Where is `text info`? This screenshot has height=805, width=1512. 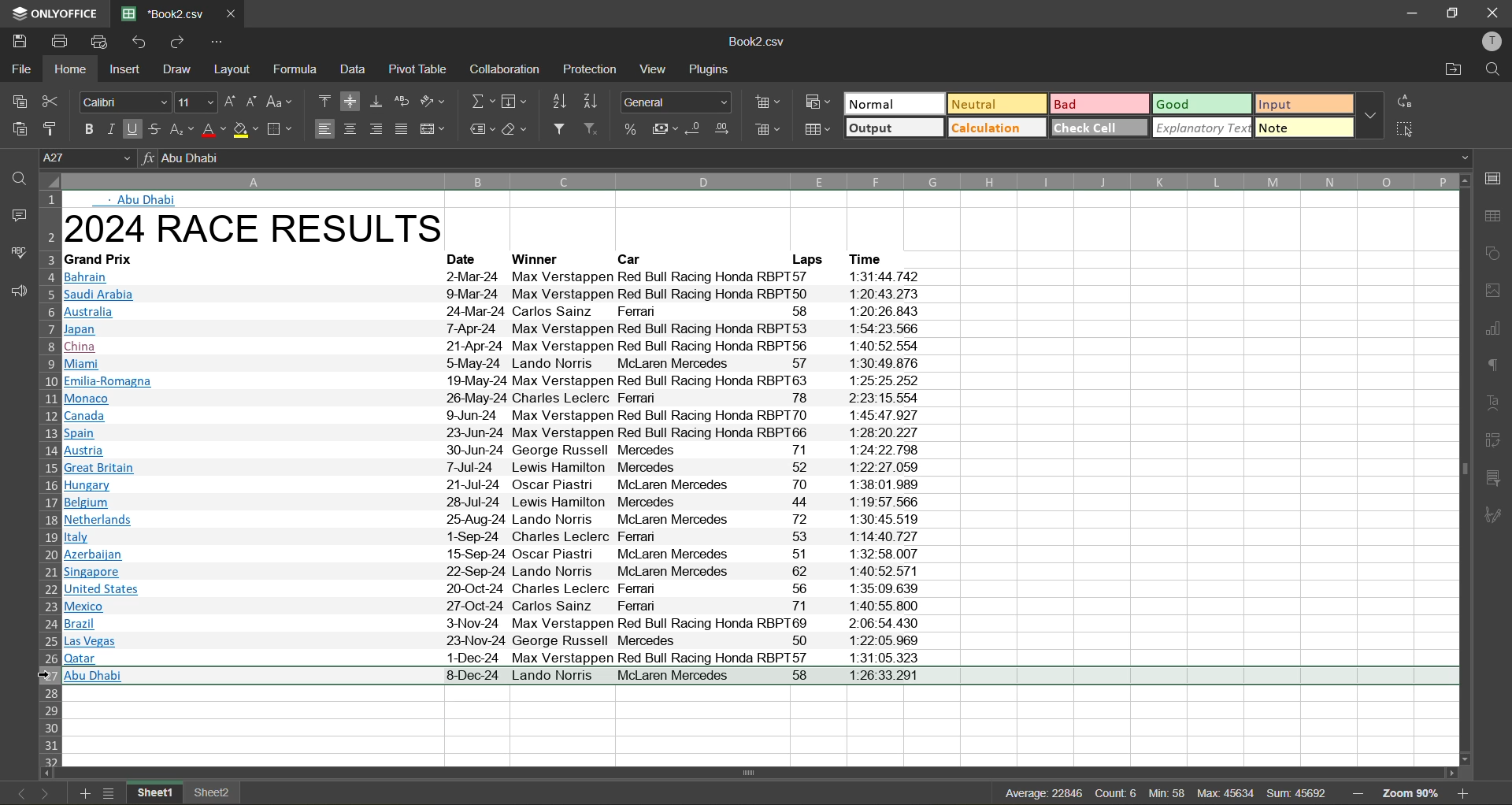 text info is located at coordinates (492, 382).